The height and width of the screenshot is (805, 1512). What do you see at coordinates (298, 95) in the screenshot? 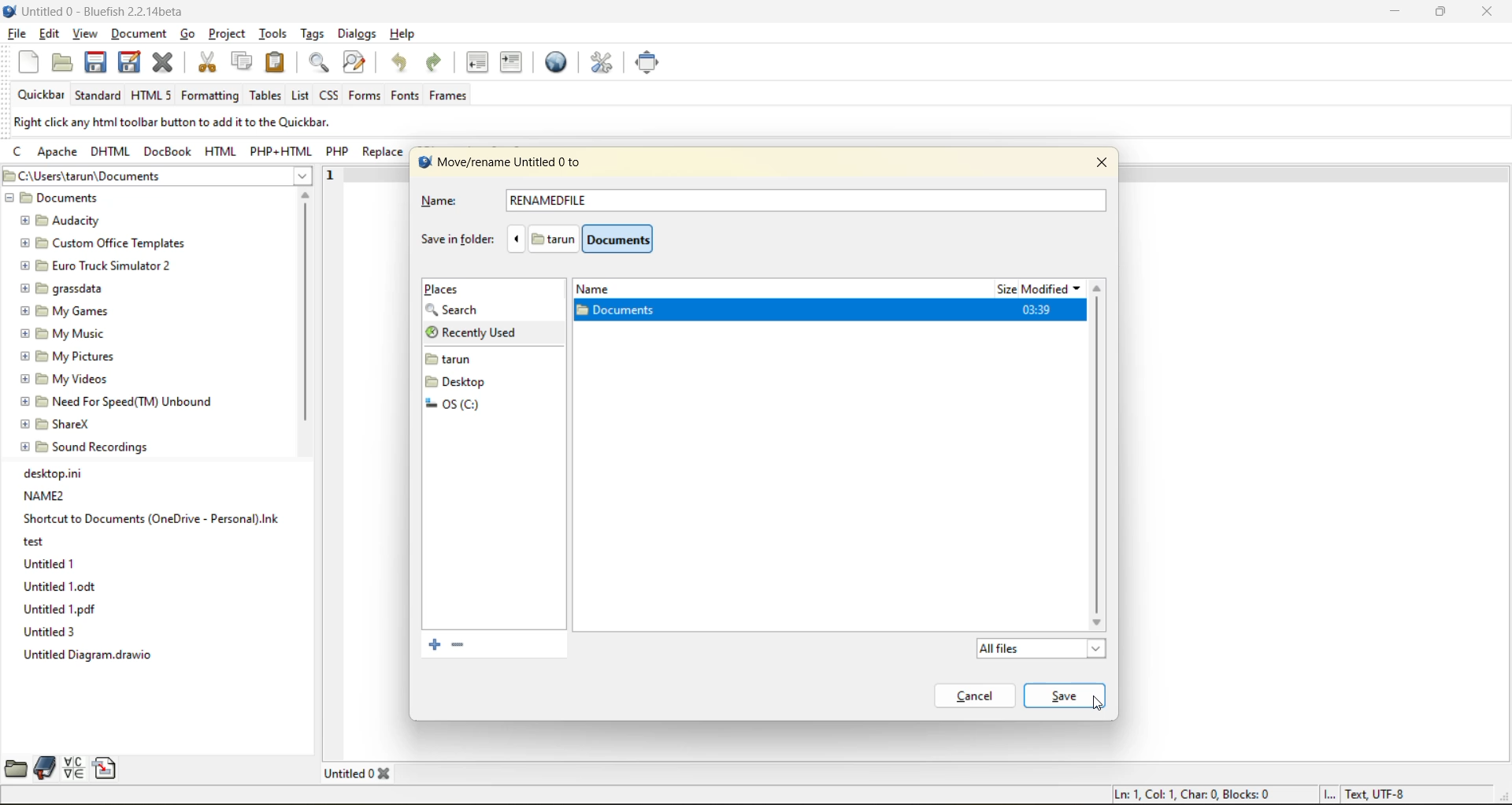
I see `list` at bounding box center [298, 95].